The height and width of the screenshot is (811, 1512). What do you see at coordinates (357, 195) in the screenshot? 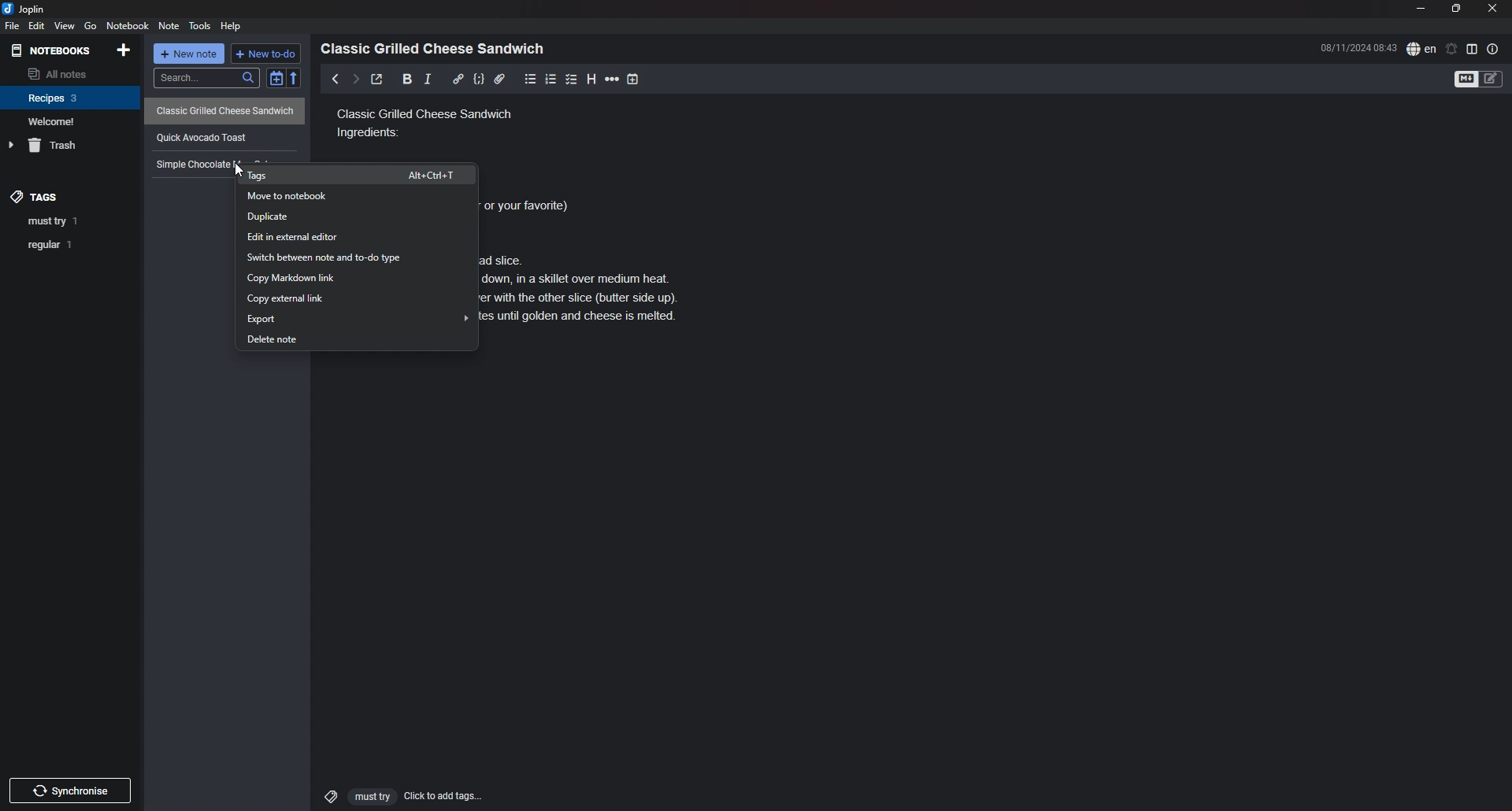
I see `move to notebook` at bounding box center [357, 195].